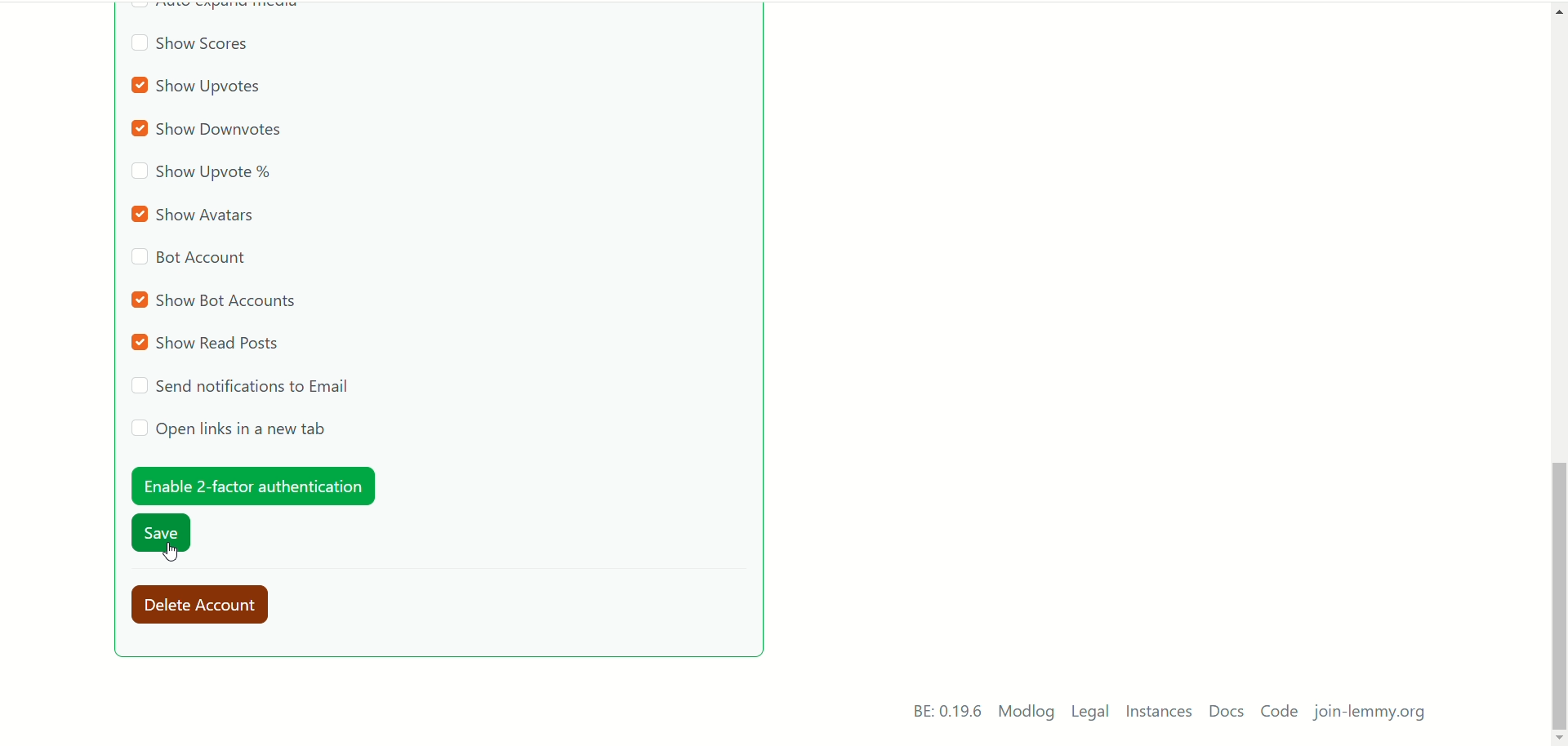  Describe the element at coordinates (251, 486) in the screenshot. I see `enable 2 factor authentication` at that location.